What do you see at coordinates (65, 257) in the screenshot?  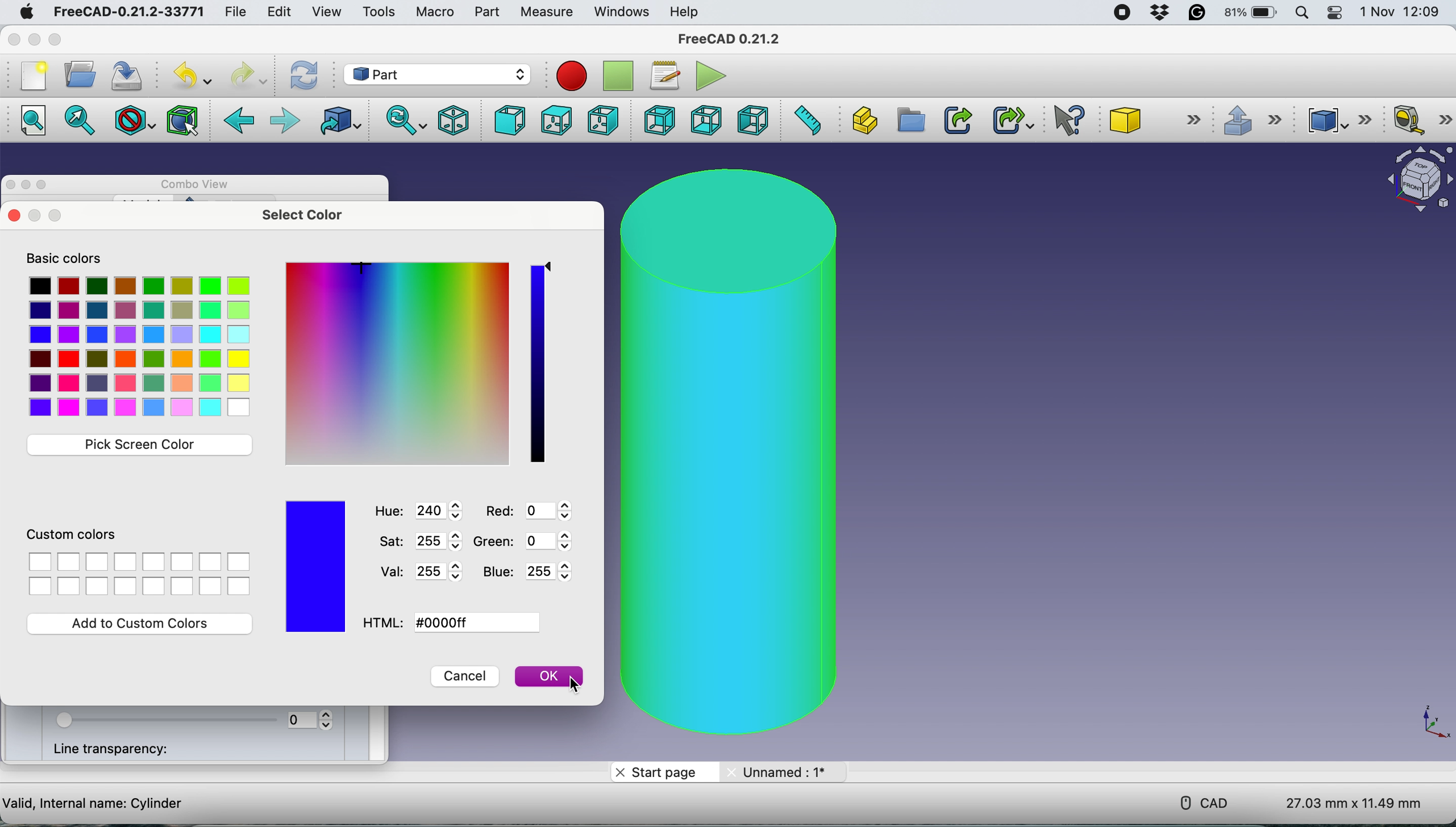 I see `basic colors` at bounding box center [65, 257].